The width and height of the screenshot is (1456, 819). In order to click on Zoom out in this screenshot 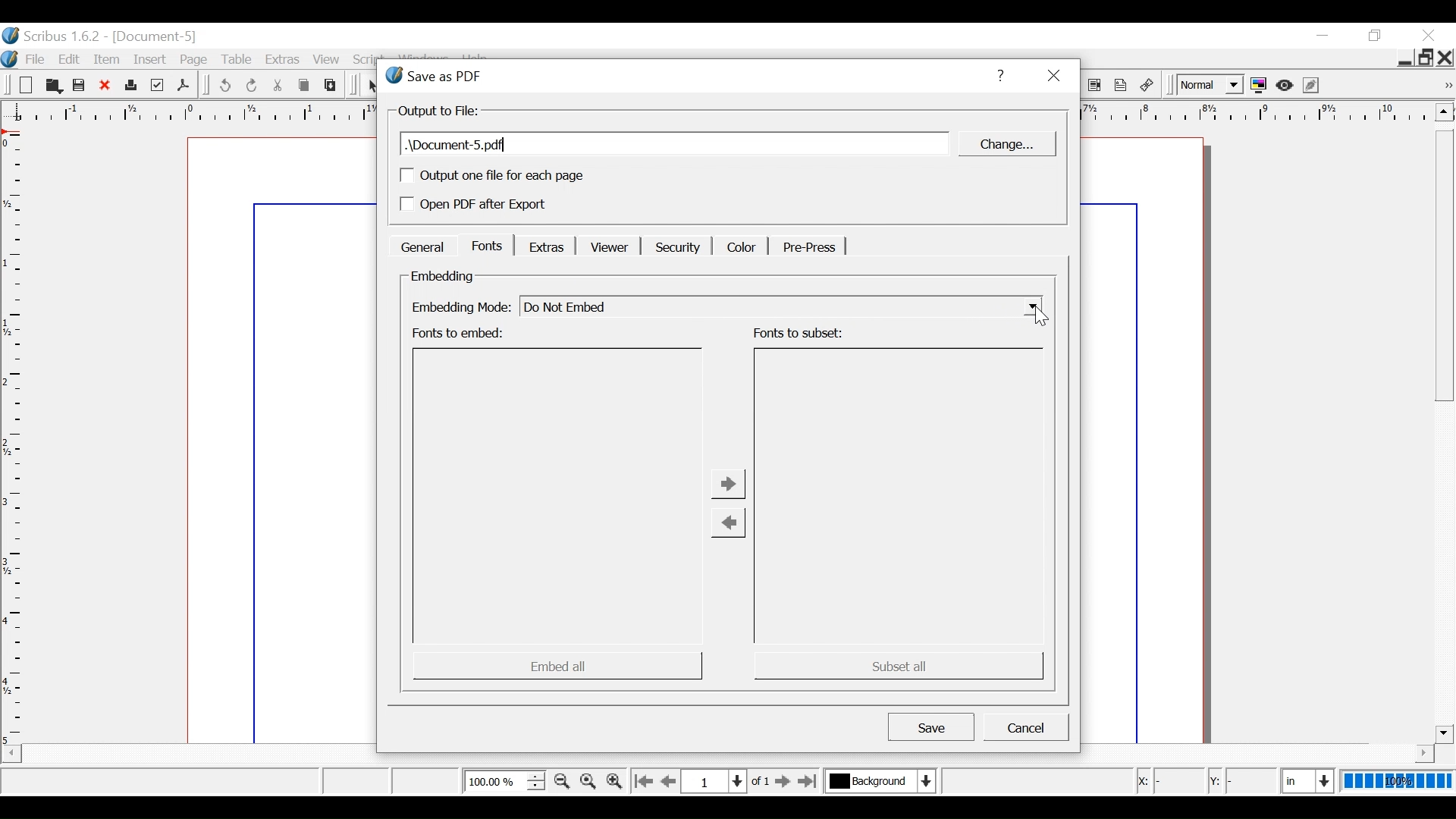, I will do `click(562, 781)`.